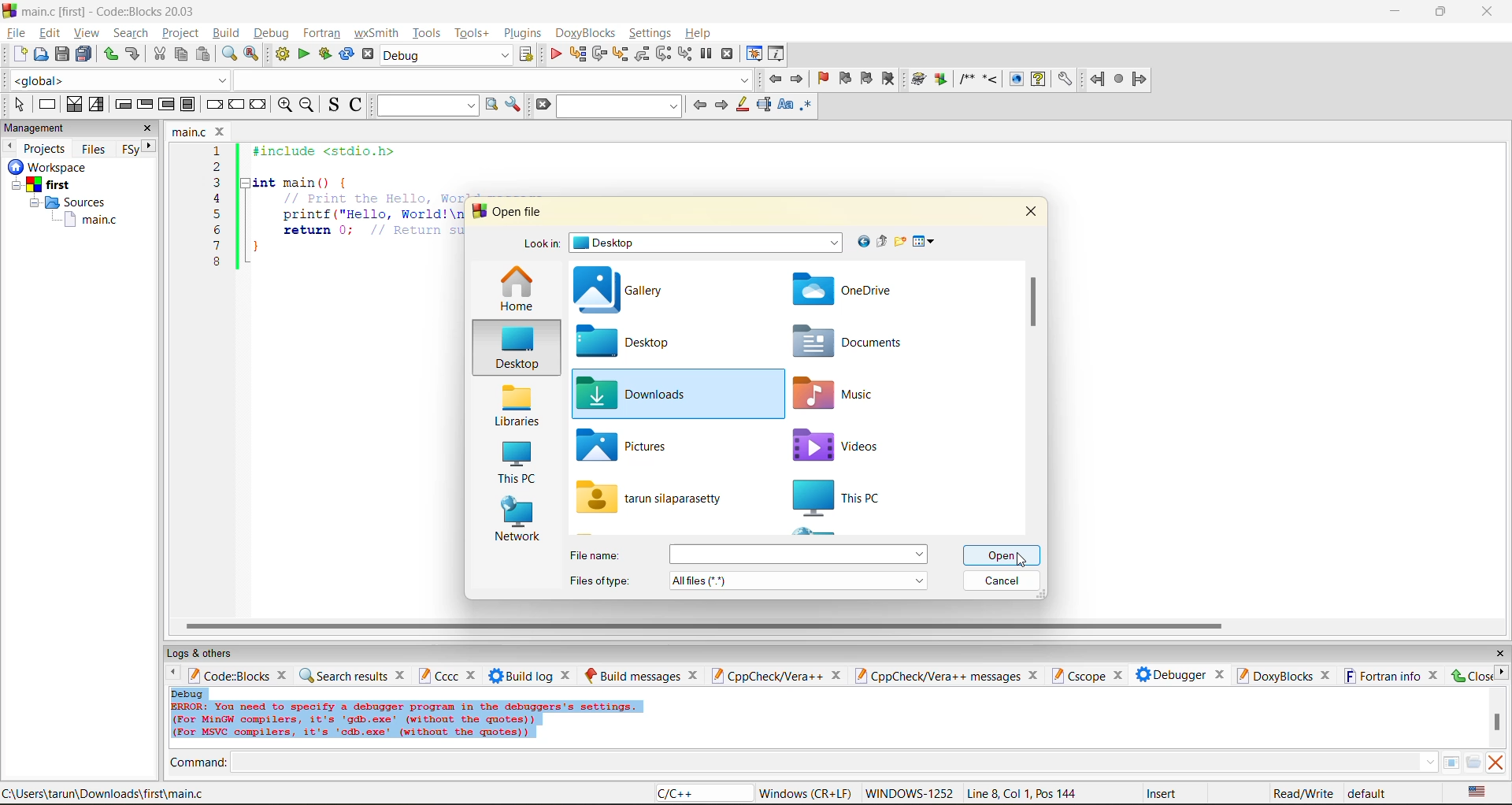 This screenshot has height=805, width=1512. What do you see at coordinates (424, 105) in the screenshot?
I see `text to search` at bounding box center [424, 105].